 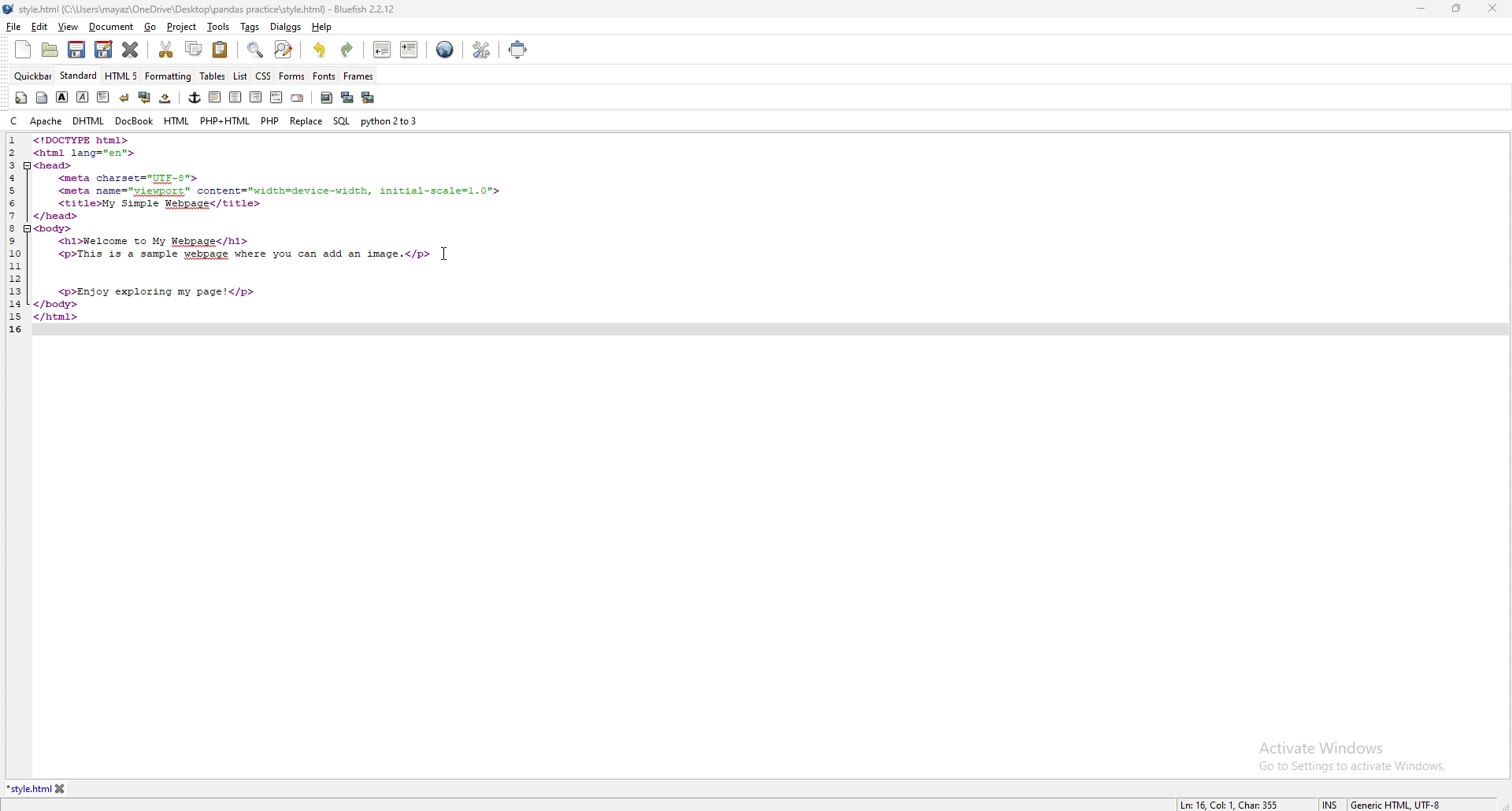 What do you see at coordinates (235, 97) in the screenshot?
I see `center` at bounding box center [235, 97].